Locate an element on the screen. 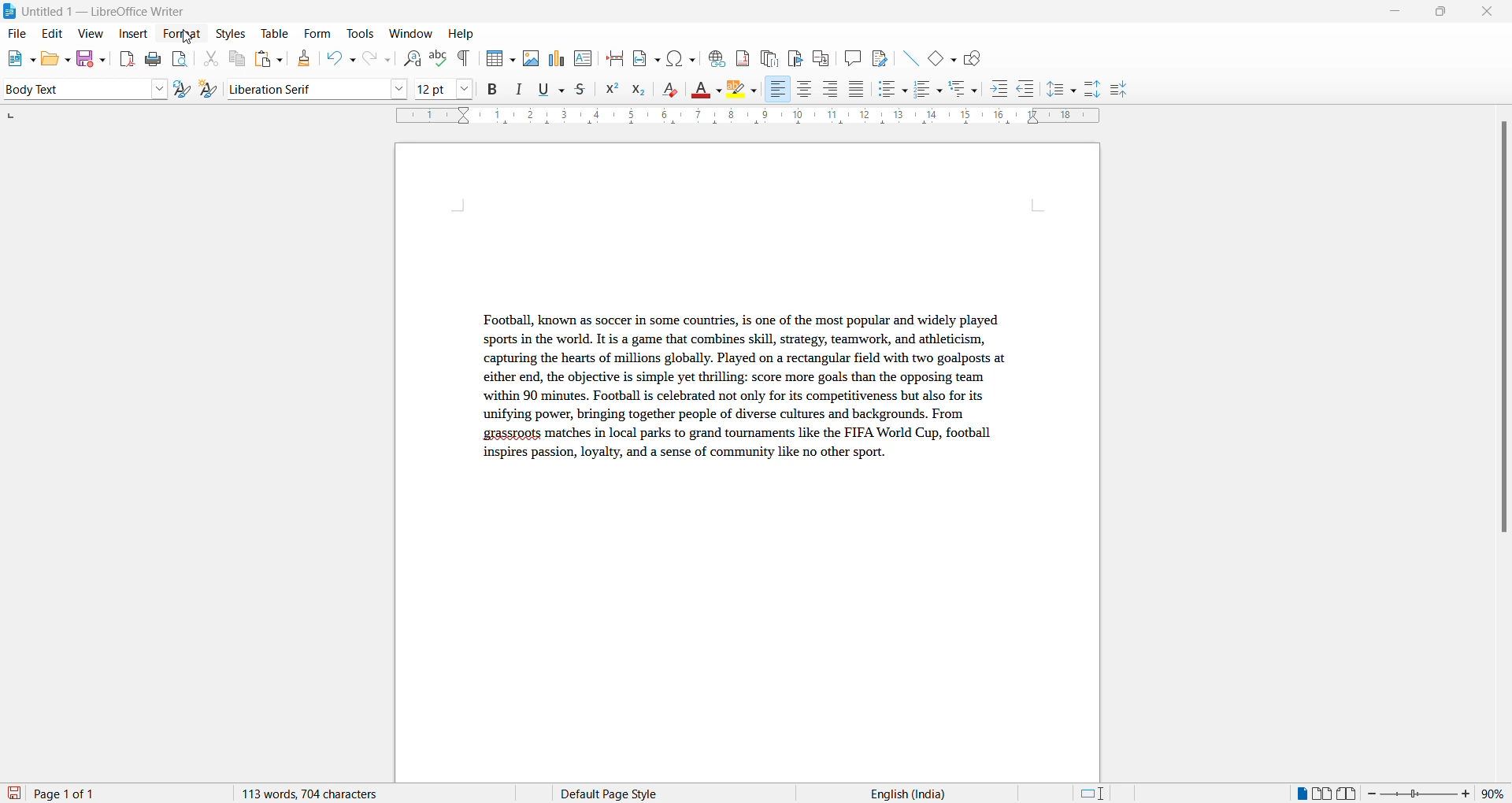  insert field is located at coordinates (645, 56).